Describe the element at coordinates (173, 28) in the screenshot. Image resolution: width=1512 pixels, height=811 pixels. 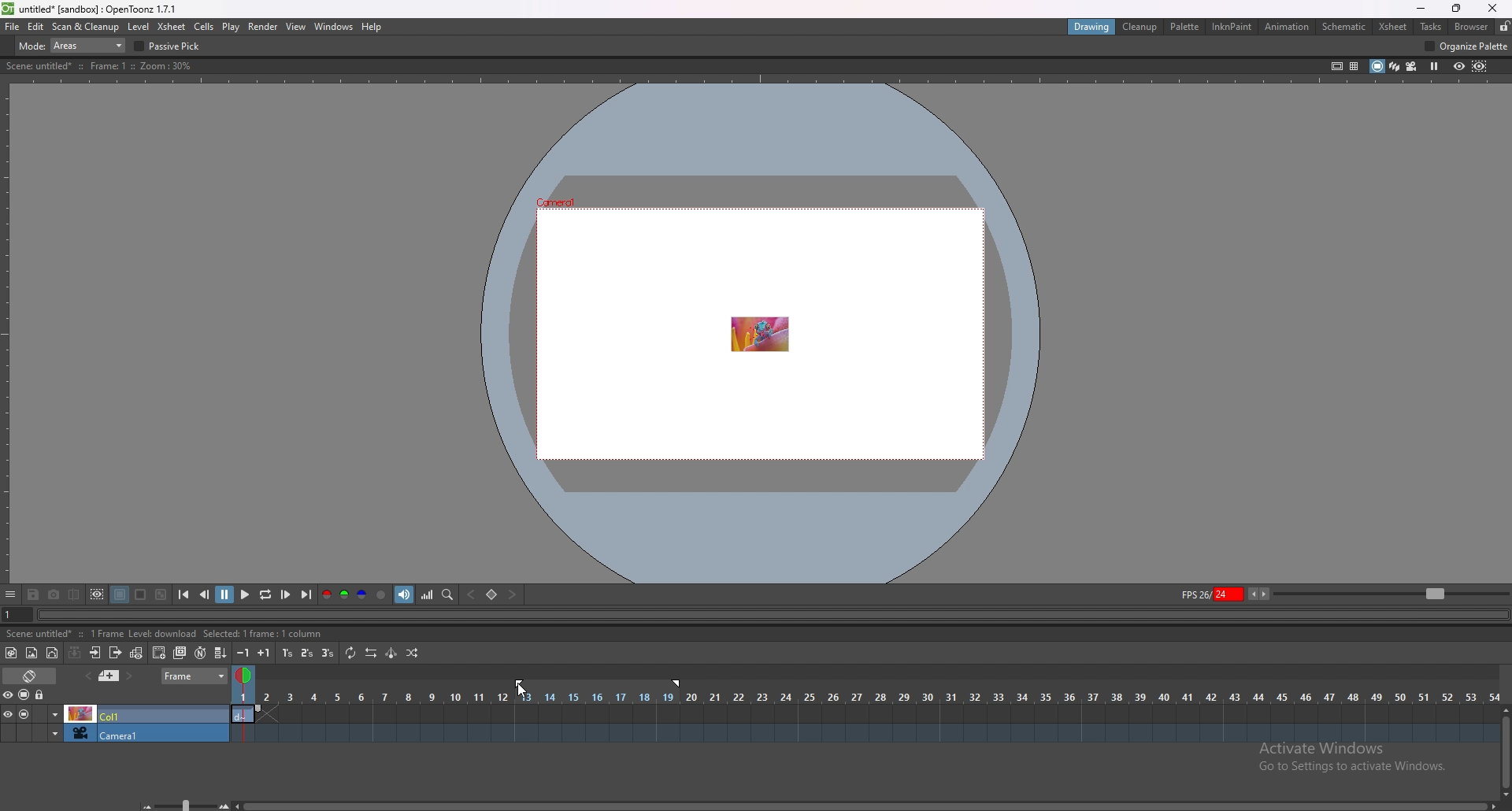
I see `xsheet` at that location.